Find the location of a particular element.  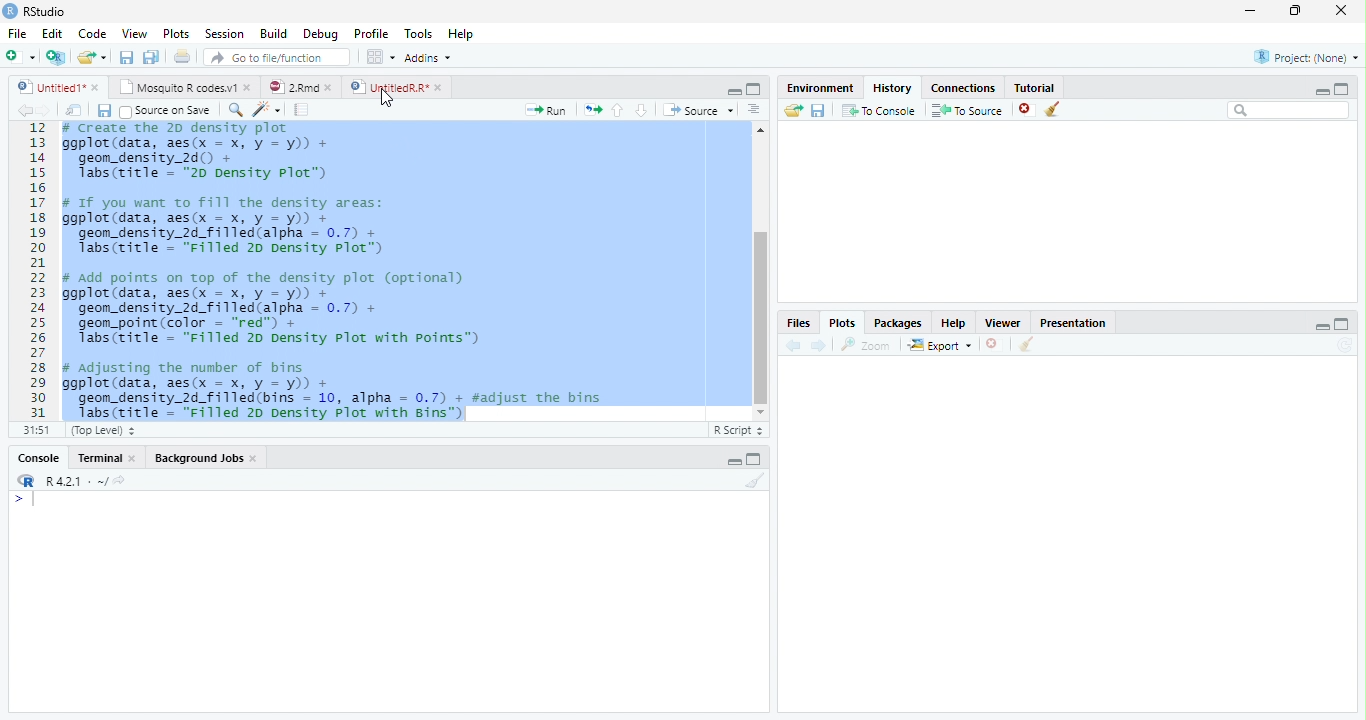

12 # Create the ZD density plot
13 ggplot(data, aes(x = x, y = y)) +

14 geom_density_2d() +

15 Tabs(ritle - "20 Density Plot”)

16

17 # If you want to ill the density areas:

18 ggplot(data, aes(x = x, y = y)) +

19 geom_density_2d_filled(alpha = 0.7) +

20 Tabs(title = "Filled 20 Density Plot”)

21

22 # add points on top of the density plot (optional)

23 ggplot(data, aes(x = x, y = y)) +

24 geom_density_2d_filled(alpha = 0.7) +

25 geom_point(color = “red") +

26 Tabs(title = "Filled 20 Density Plot with points”)

27

28 # adjusting the number of bins

29 ggplot(data, aes(x = x, y = y)) +

30 geom_density_2d_filled(bins = 10, alpha = 0.7) + #adjust the bins
31 Jabs(ritle = “Filled 20 Density Plot with Bins") is located at coordinates (378, 272).